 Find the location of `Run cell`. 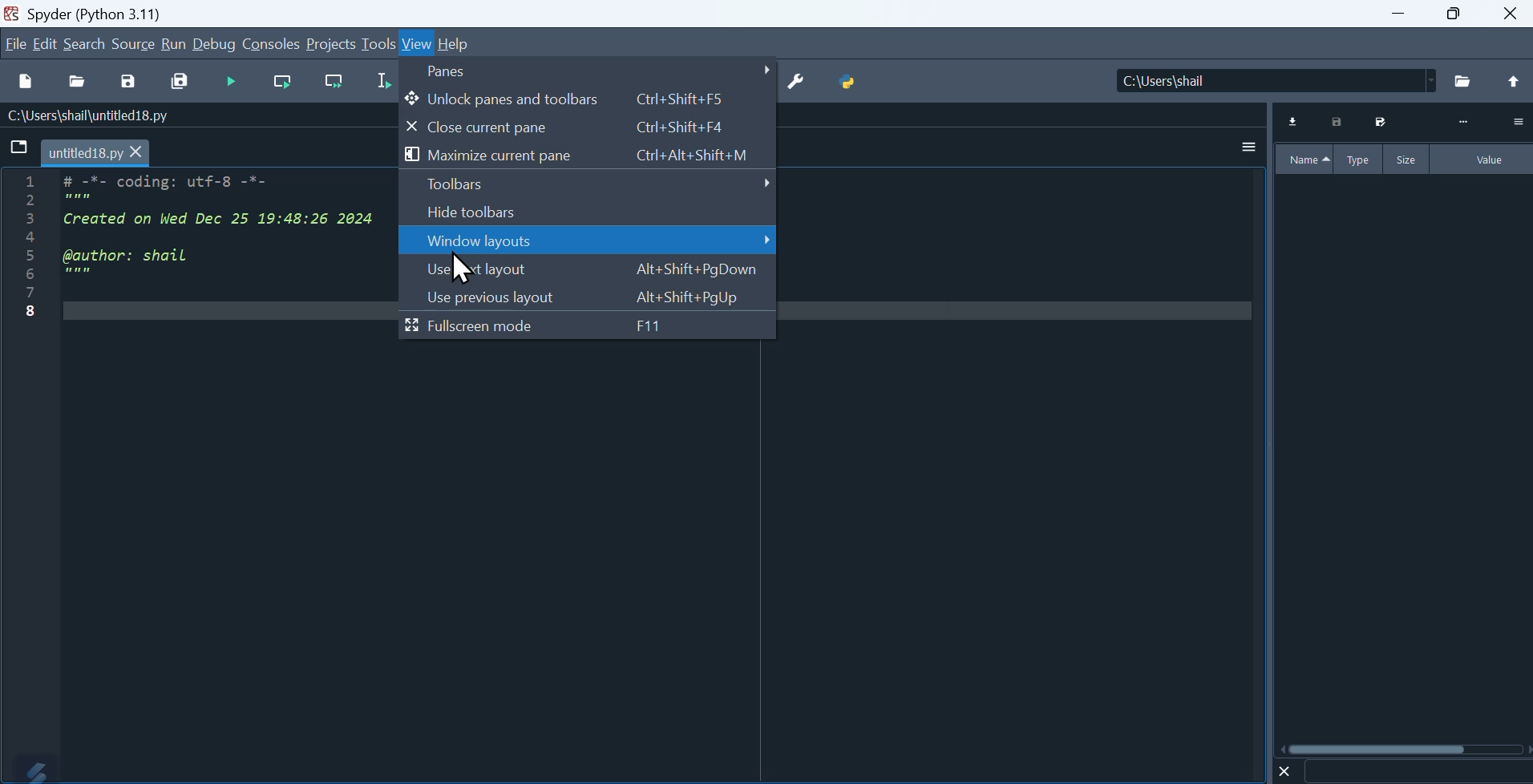

Run cell is located at coordinates (229, 83).